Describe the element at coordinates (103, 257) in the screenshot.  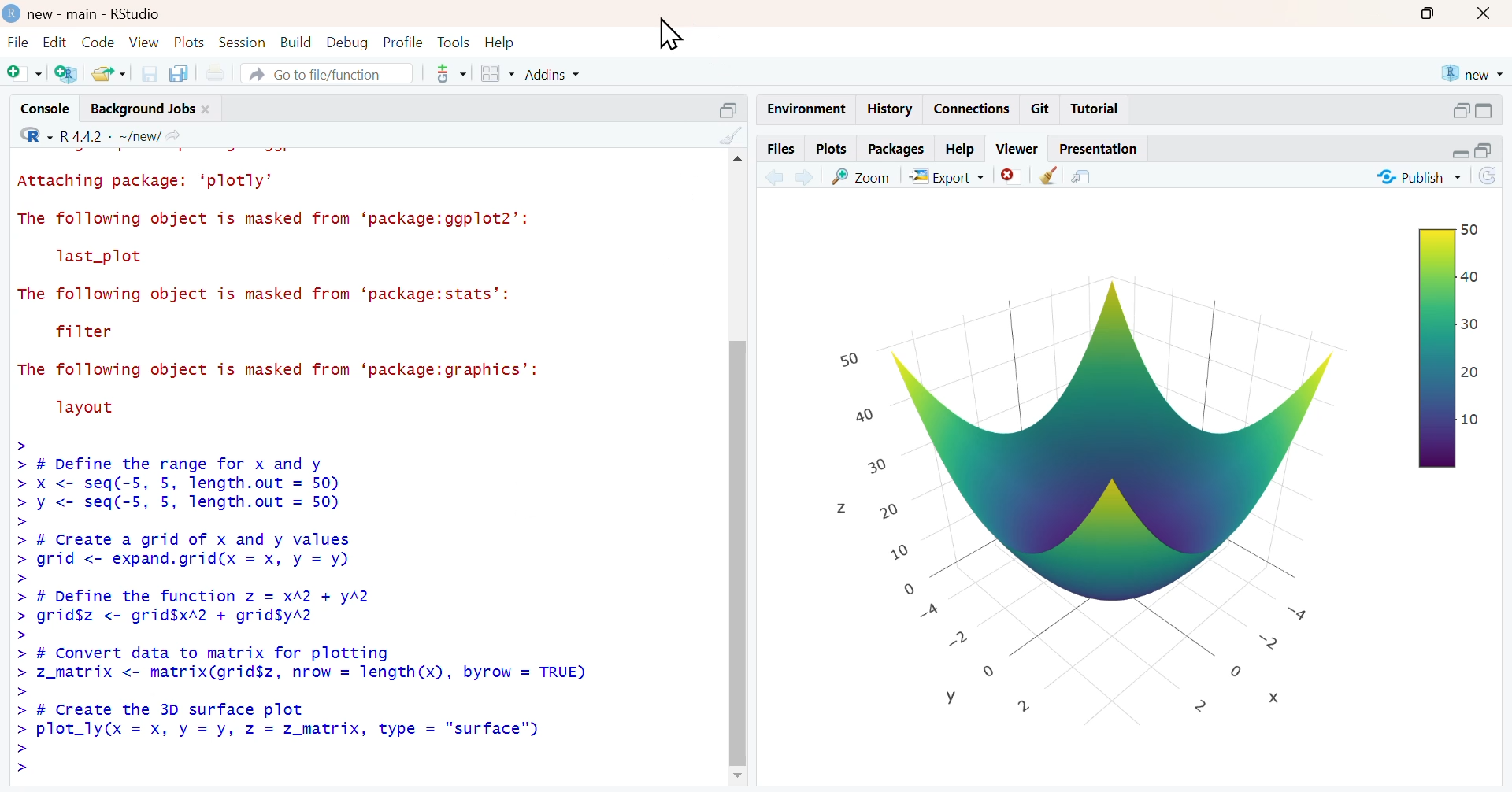
I see `last_plot` at that location.